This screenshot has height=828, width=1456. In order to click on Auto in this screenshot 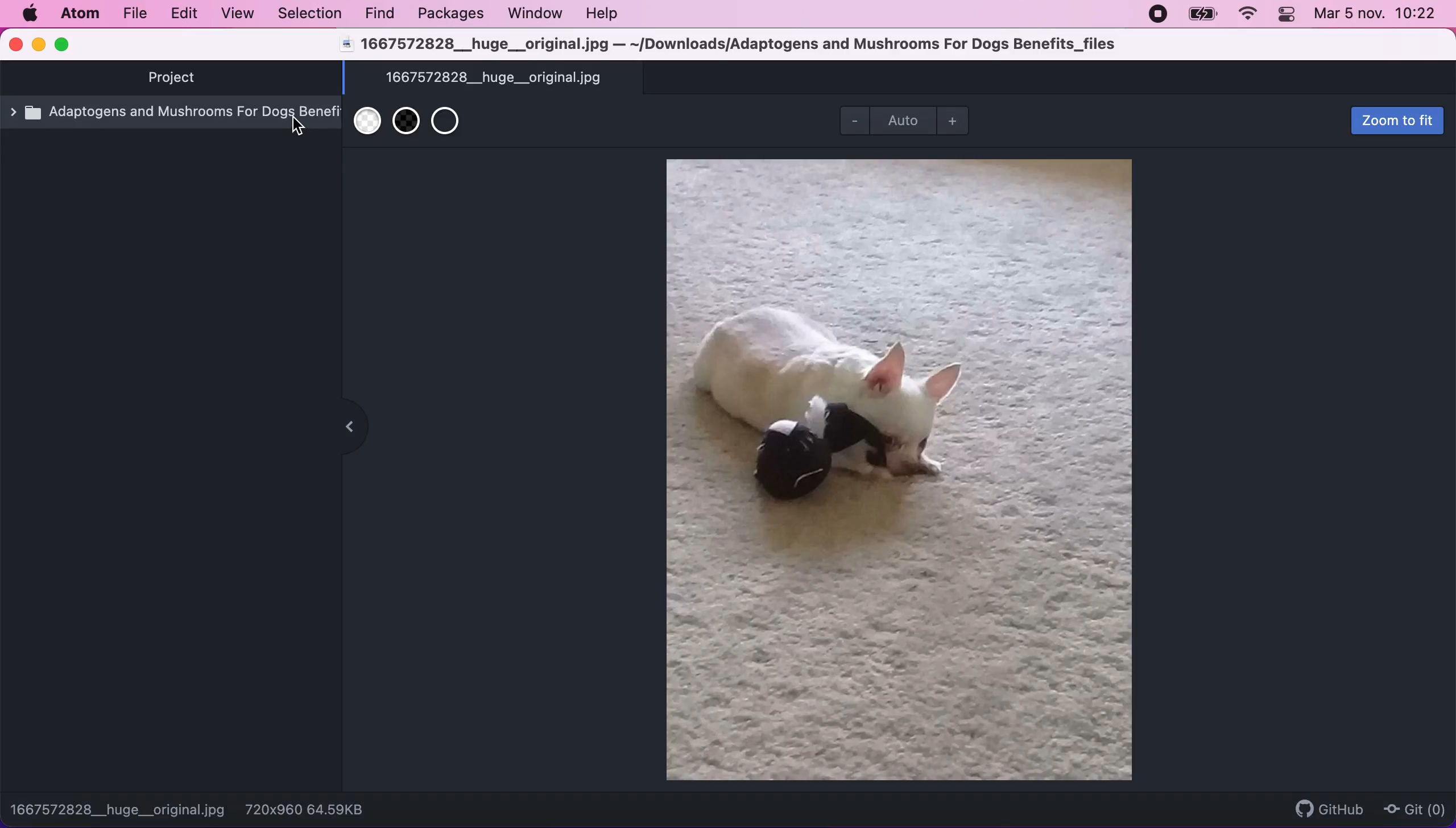, I will do `click(905, 119)`.